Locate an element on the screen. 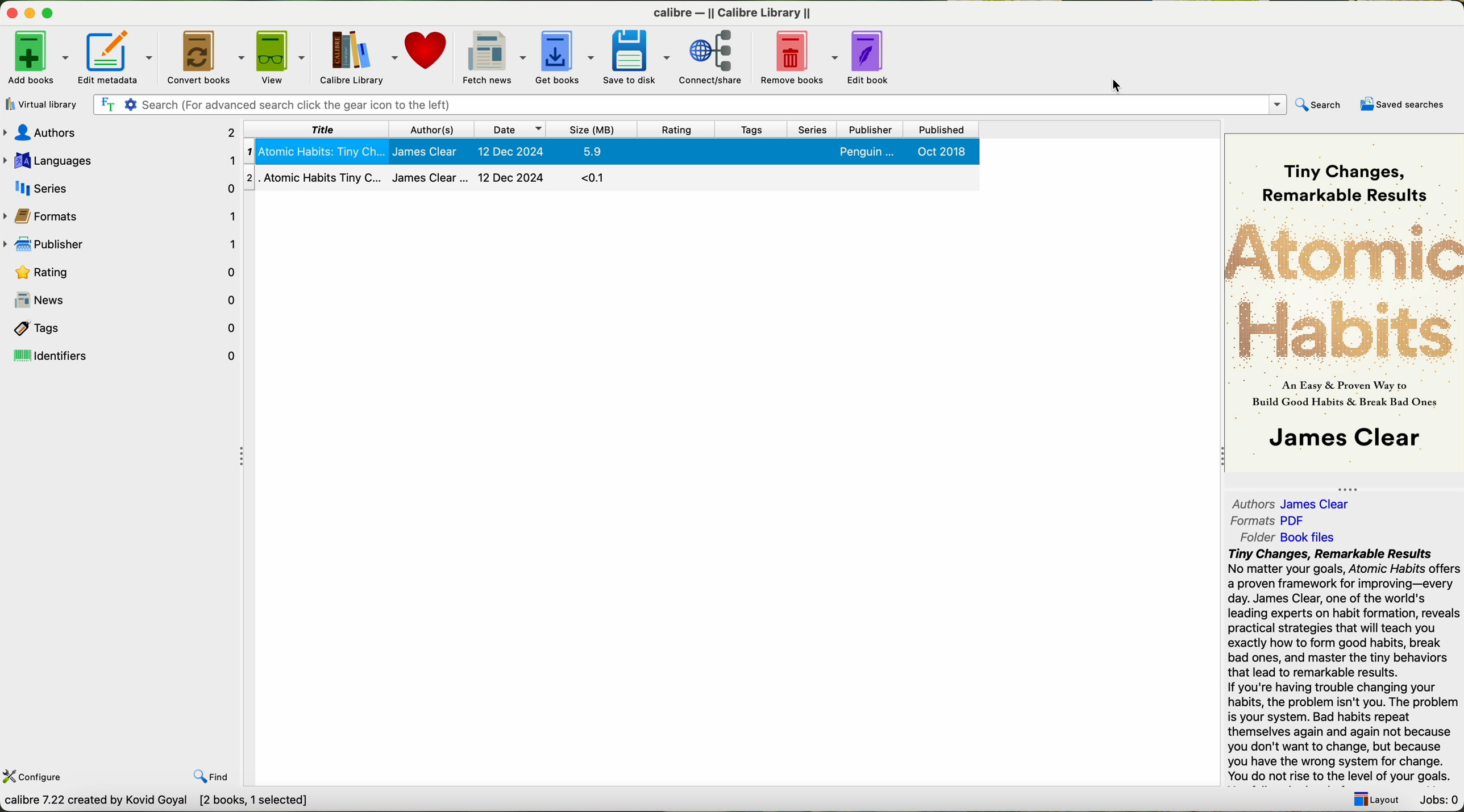 This screenshot has width=1464, height=812. Oct 2018 is located at coordinates (947, 156).